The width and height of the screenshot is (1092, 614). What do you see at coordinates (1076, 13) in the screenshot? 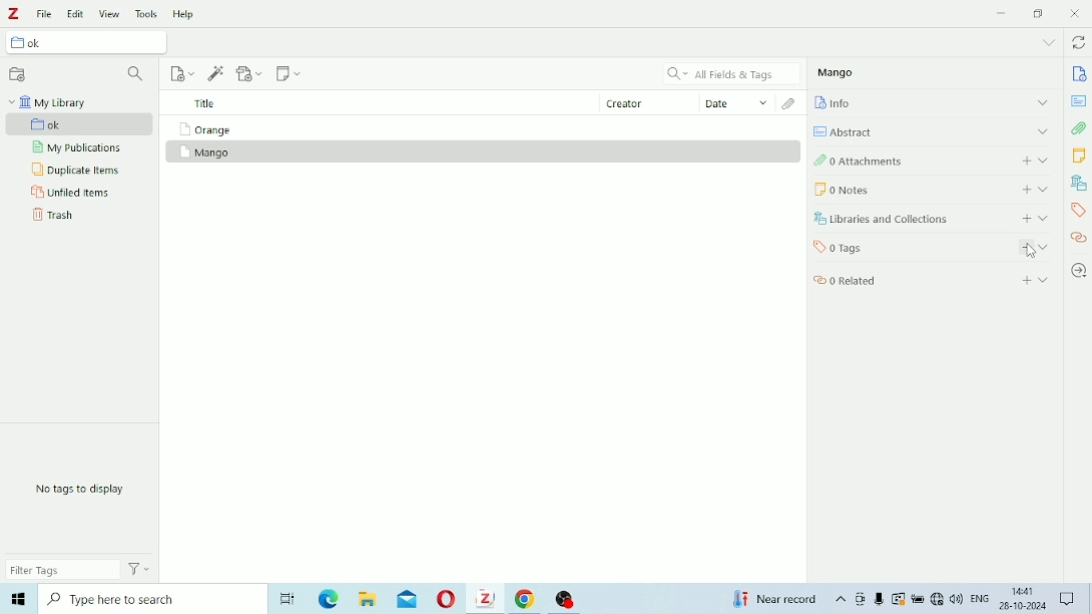
I see `Close` at bounding box center [1076, 13].